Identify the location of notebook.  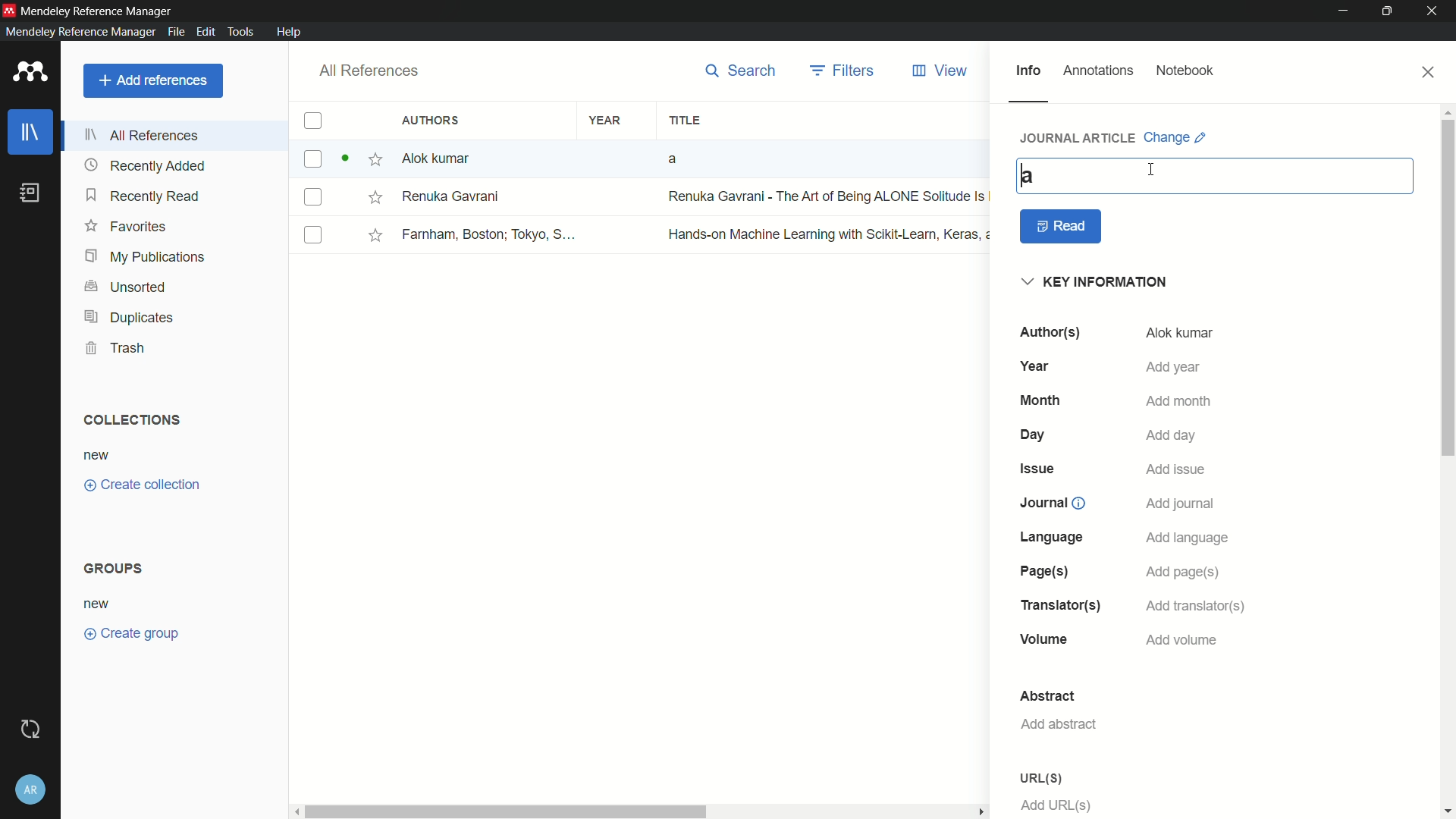
(1185, 71).